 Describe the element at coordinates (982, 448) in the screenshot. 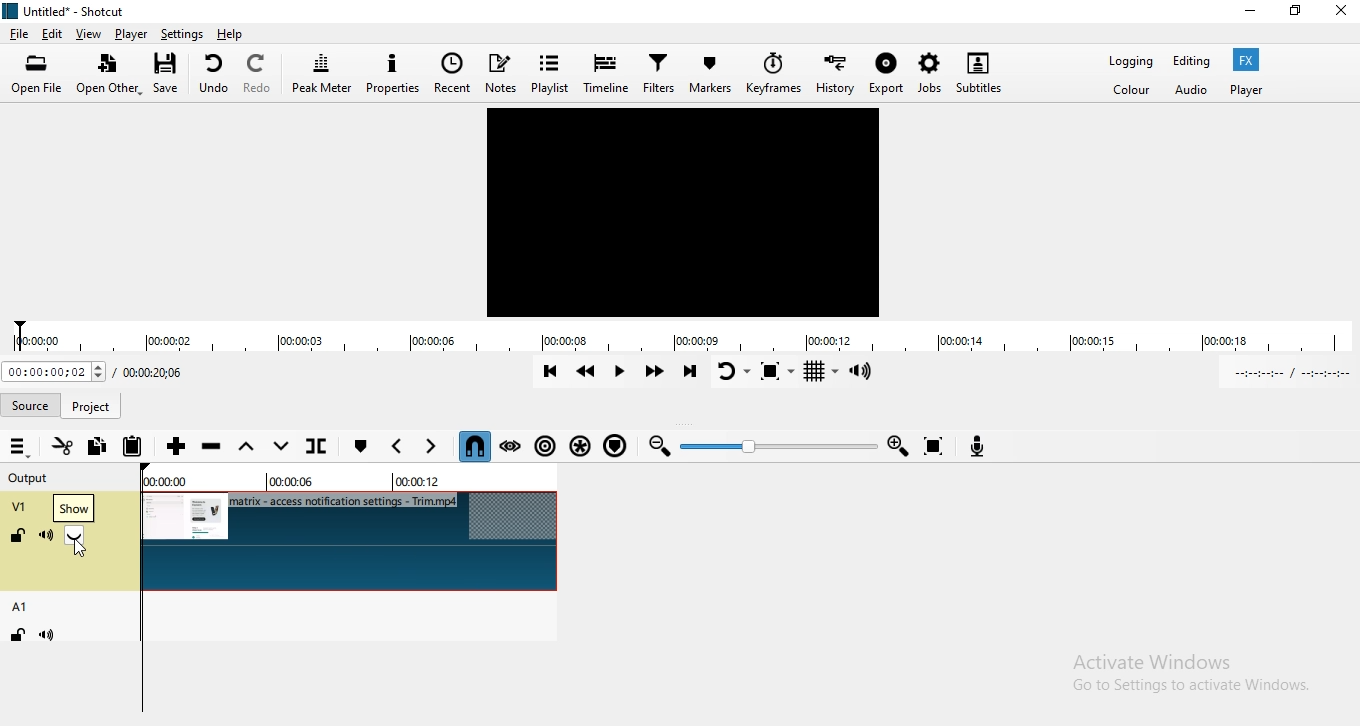

I see `Record audio` at that location.